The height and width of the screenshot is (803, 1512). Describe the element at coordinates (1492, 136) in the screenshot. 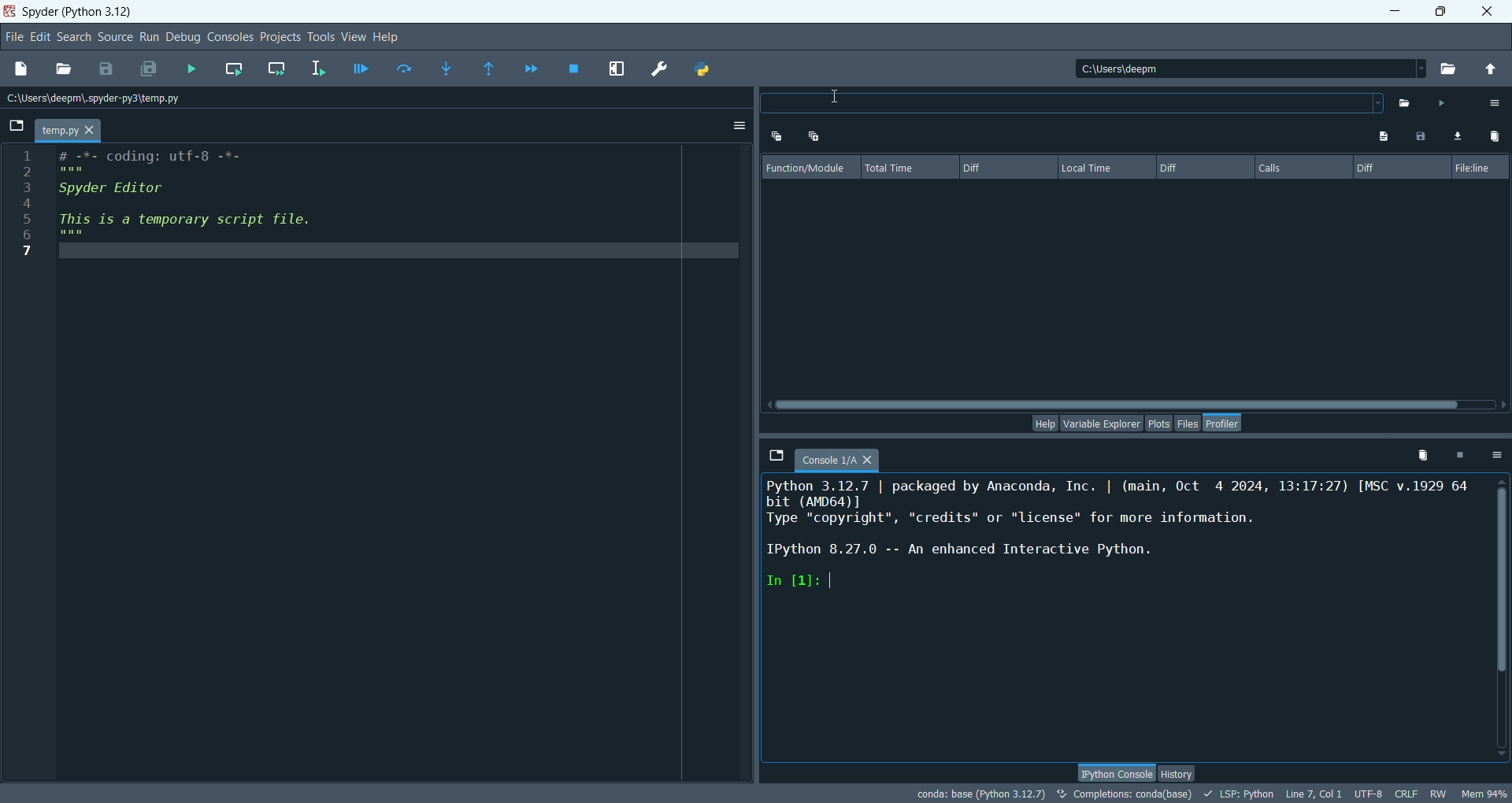

I see `clear comparisons data` at that location.